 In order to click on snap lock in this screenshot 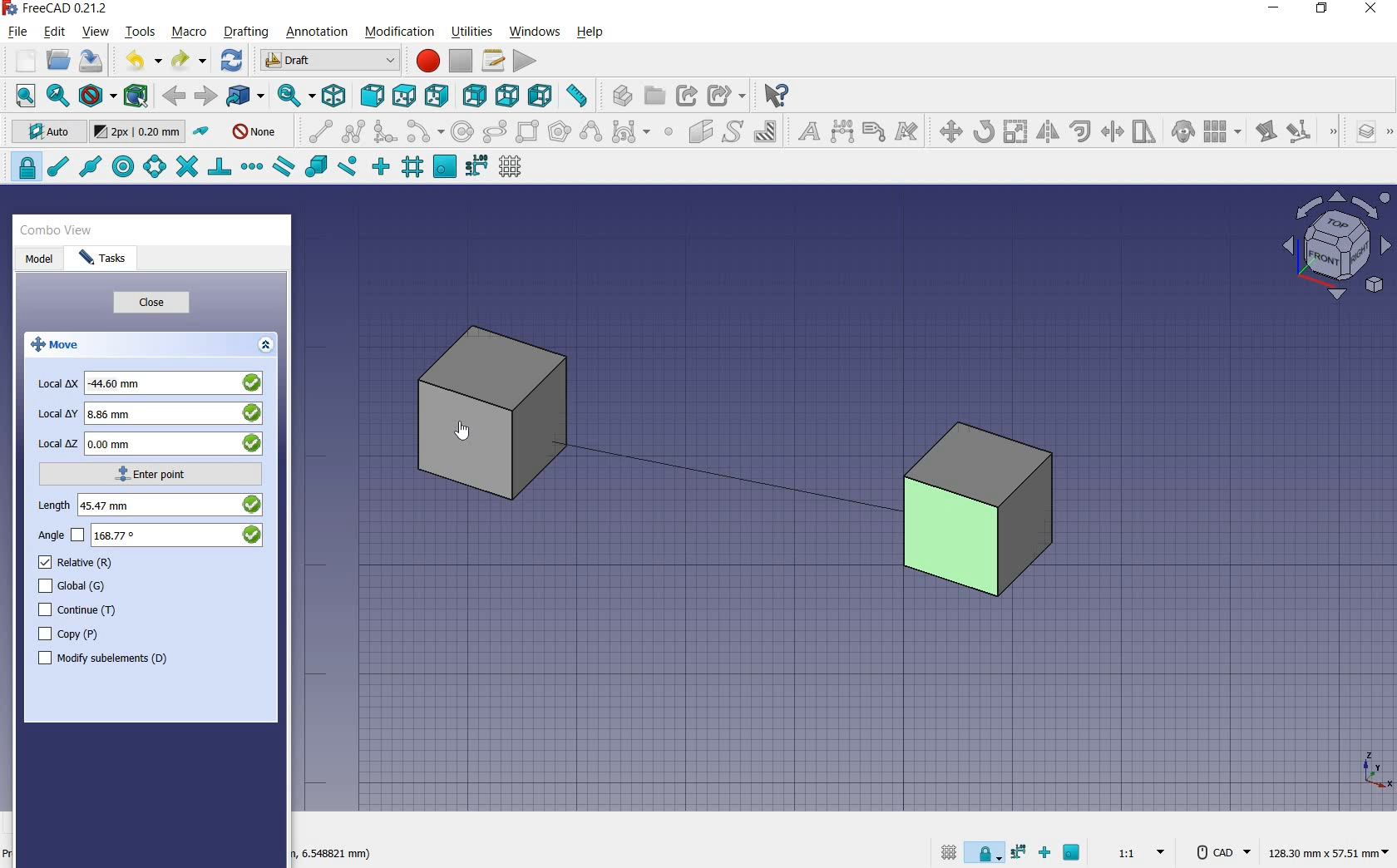, I will do `click(22, 167)`.